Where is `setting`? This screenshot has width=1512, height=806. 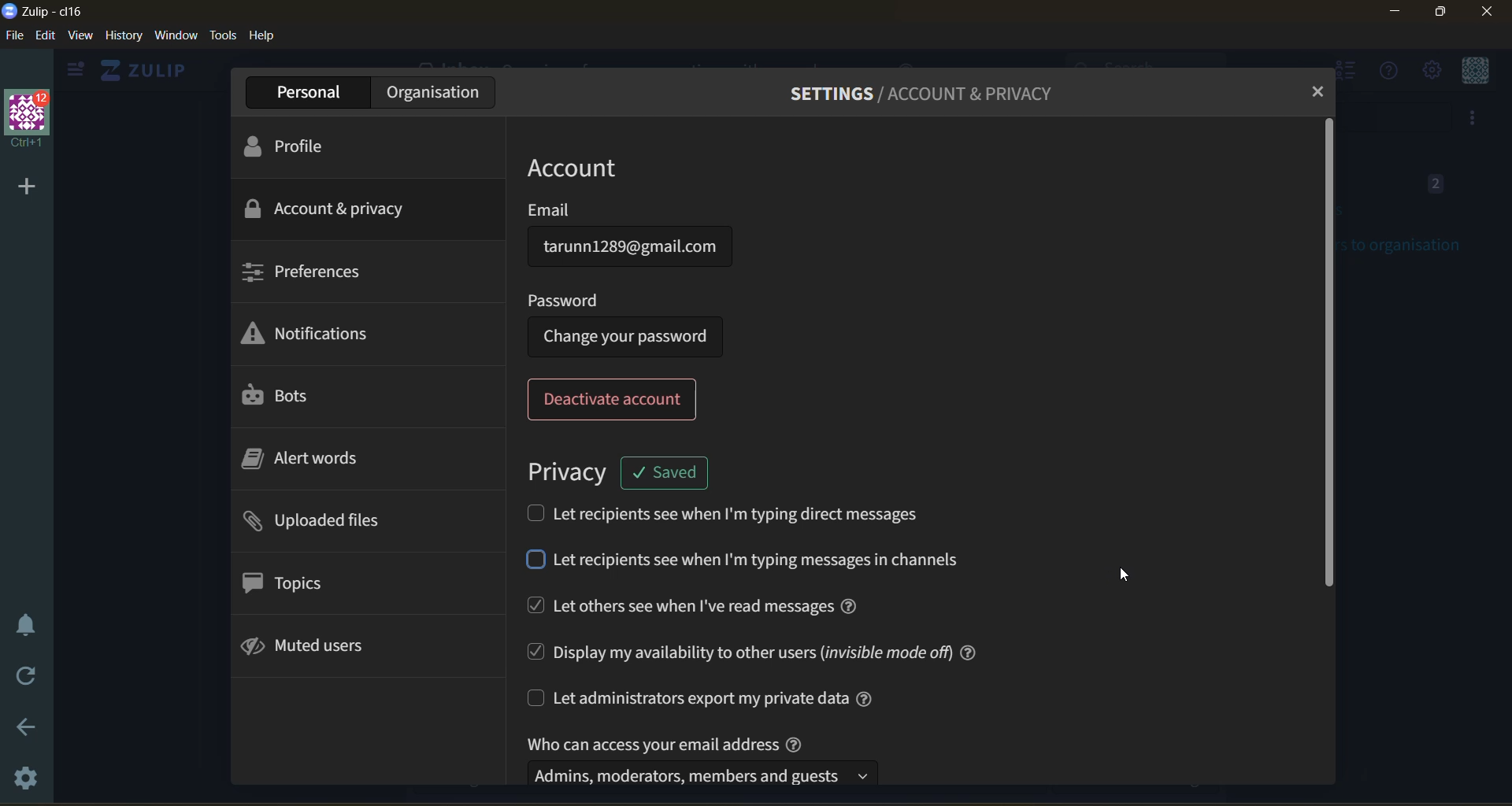 setting is located at coordinates (1430, 72).